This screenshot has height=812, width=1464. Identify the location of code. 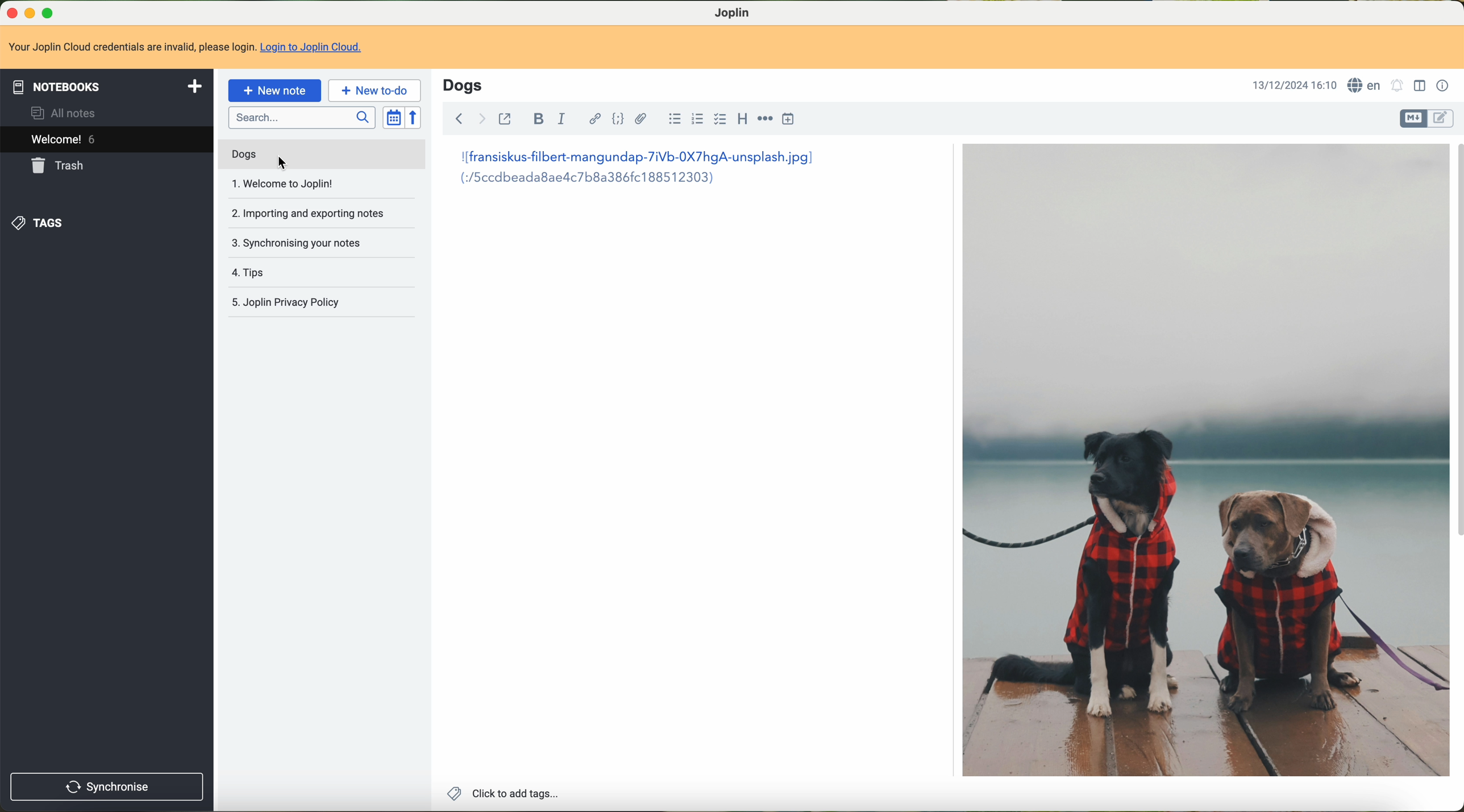
(619, 120).